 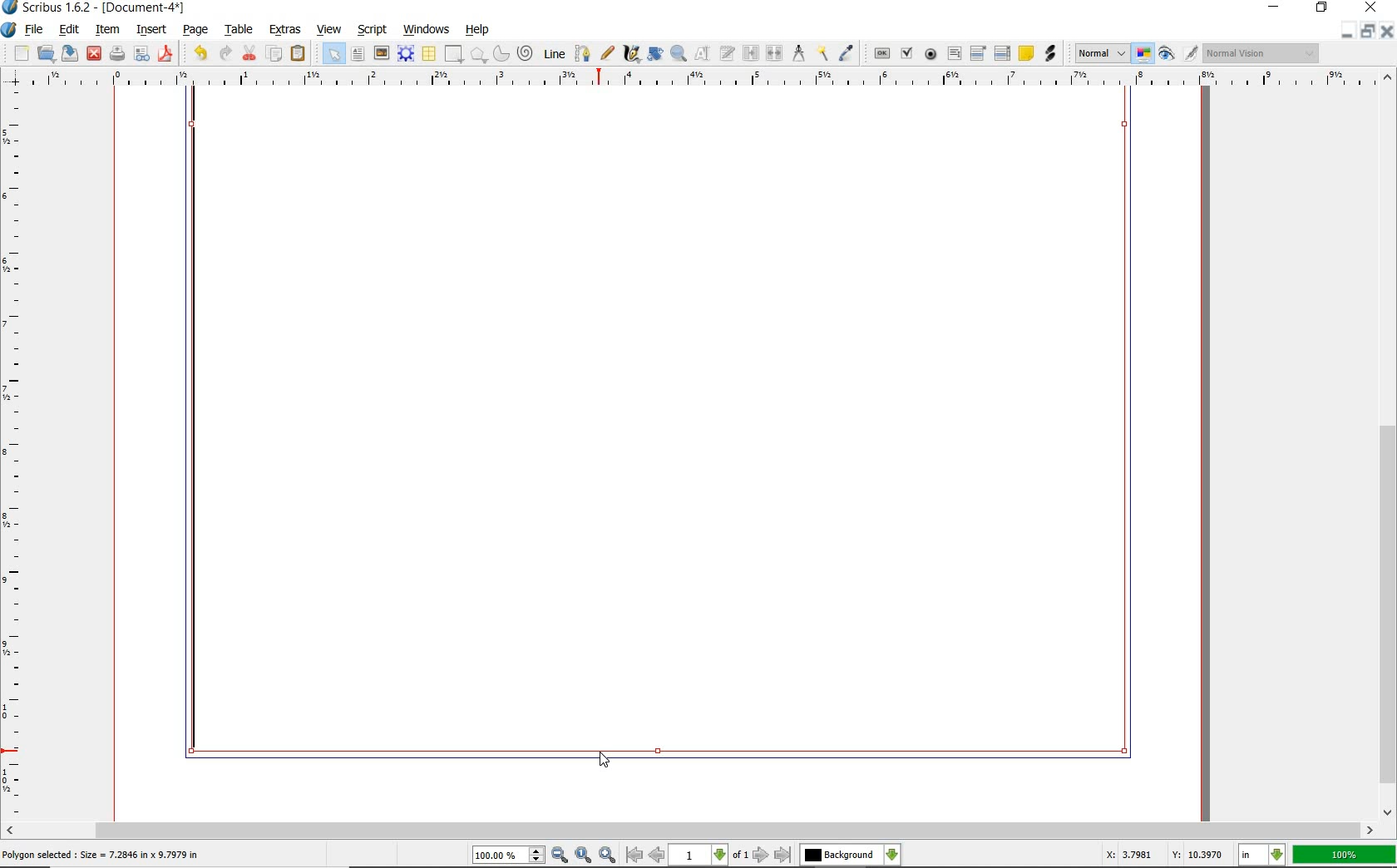 What do you see at coordinates (479, 31) in the screenshot?
I see `help` at bounding box center [479, 31].